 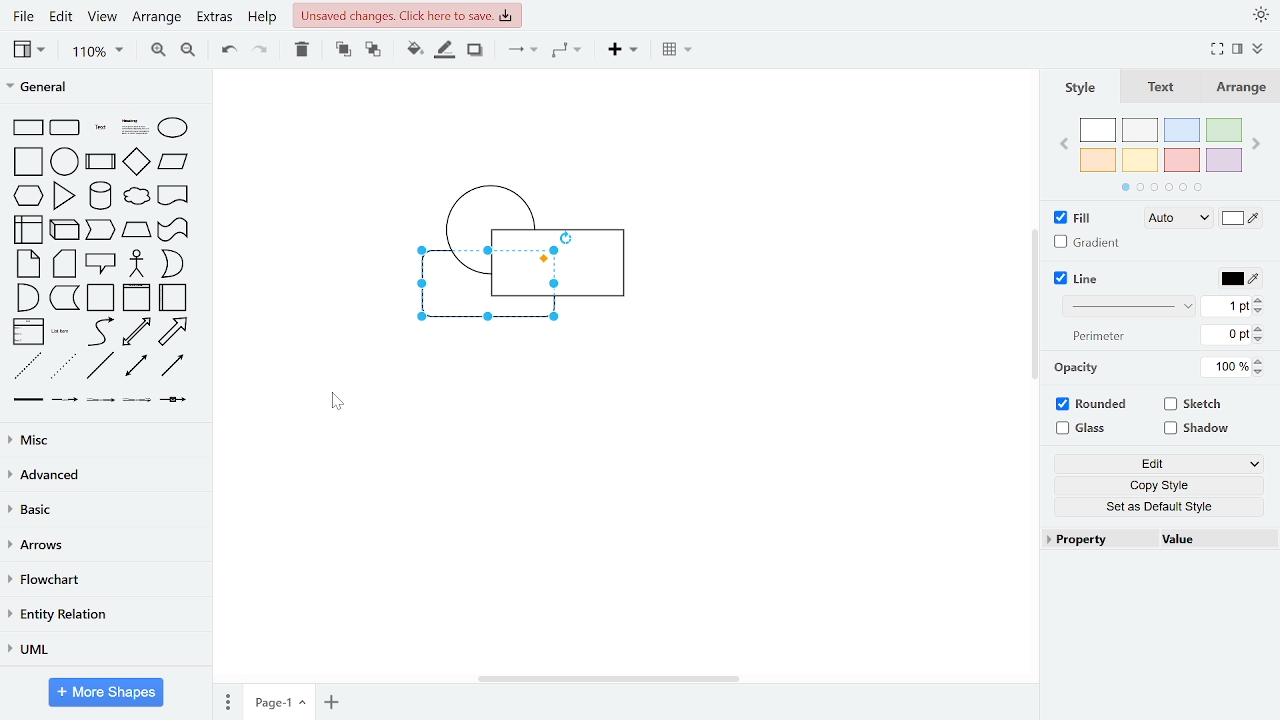 I want to click on connector with label, so click(x=66, y=399).